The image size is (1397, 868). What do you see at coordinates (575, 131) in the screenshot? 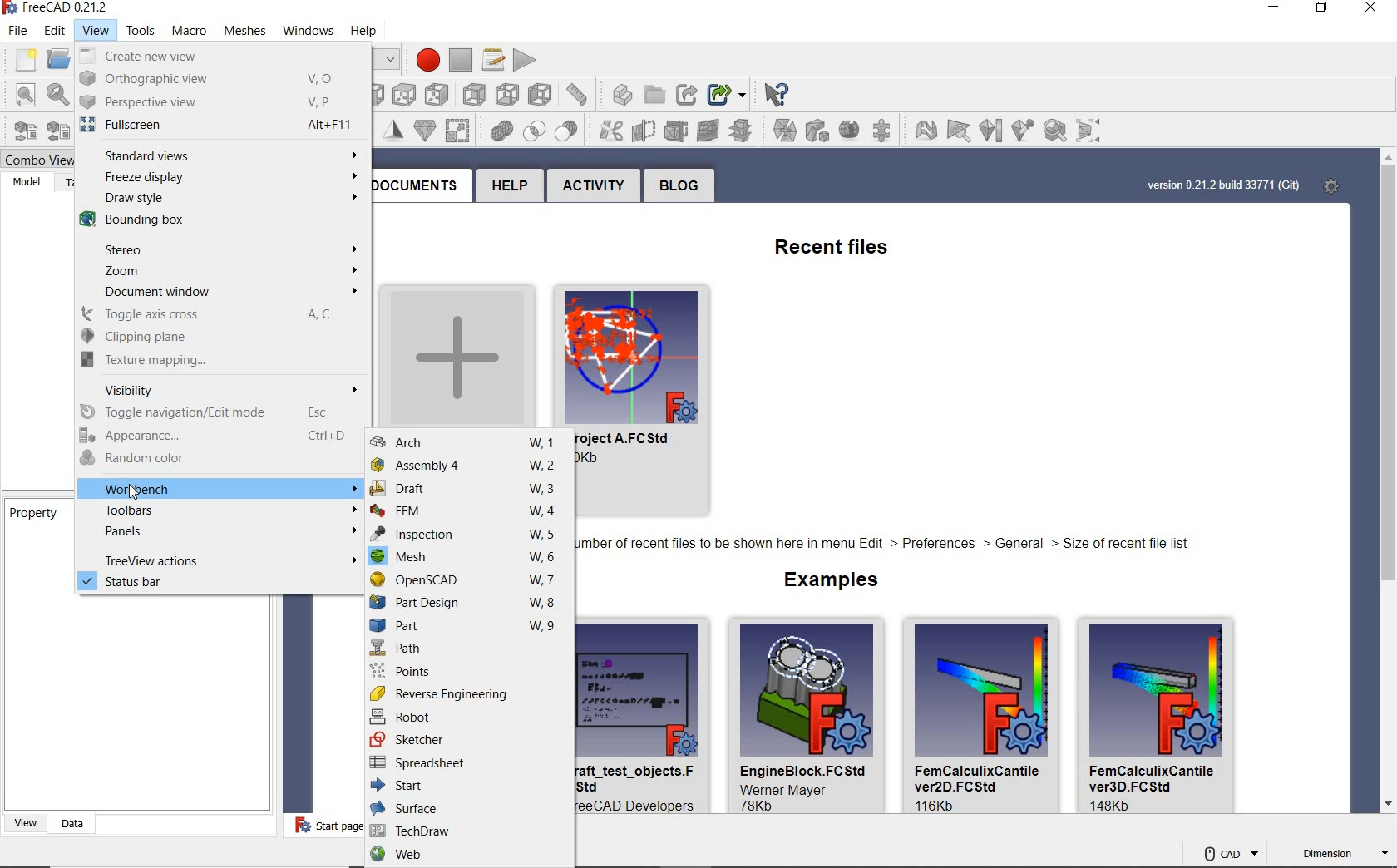
I see `cut mesh` at bounding box center [575, 131].